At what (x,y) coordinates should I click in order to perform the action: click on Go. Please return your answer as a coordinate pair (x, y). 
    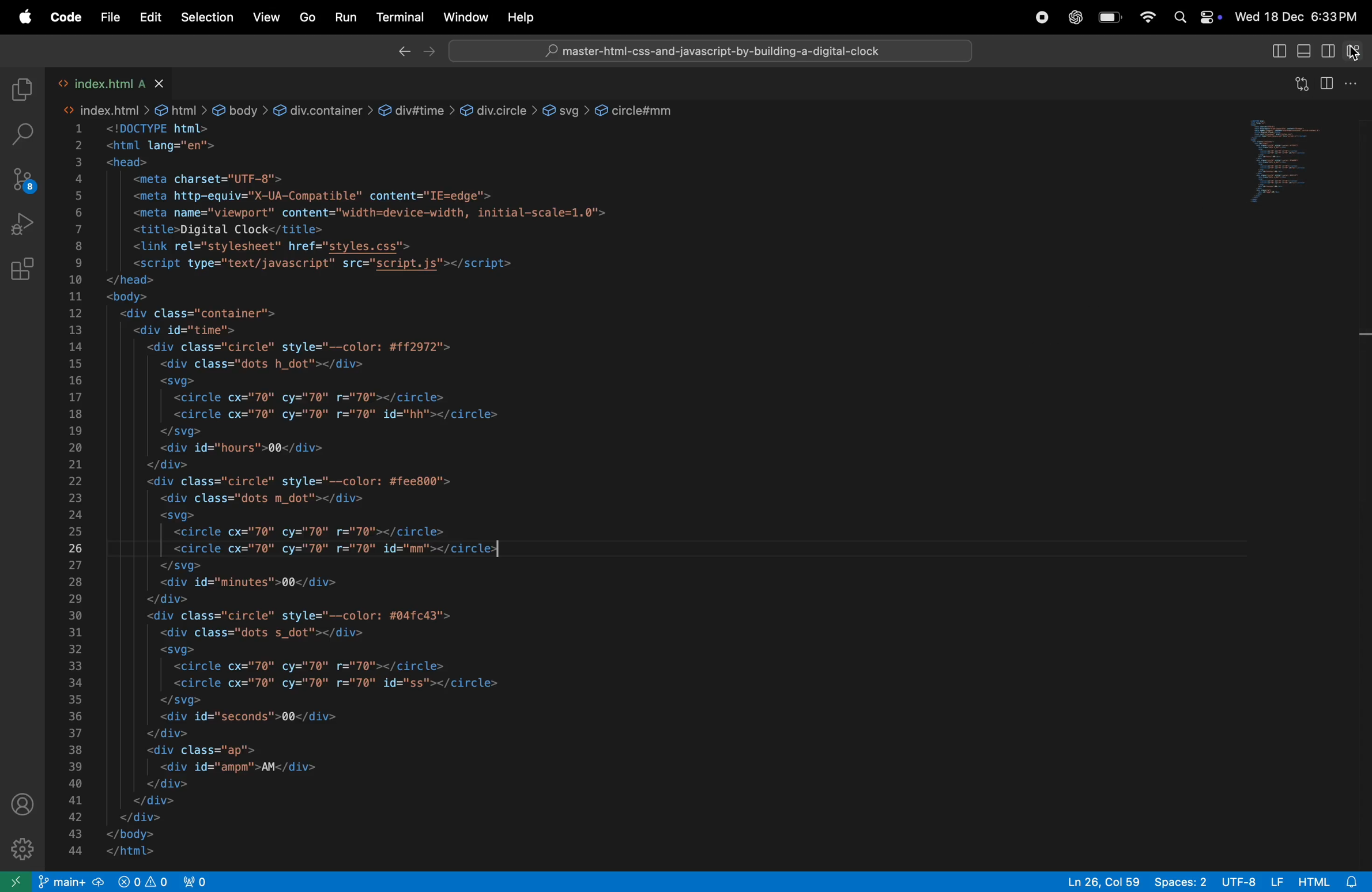
    Looking at the image, I should click on (307, 18).